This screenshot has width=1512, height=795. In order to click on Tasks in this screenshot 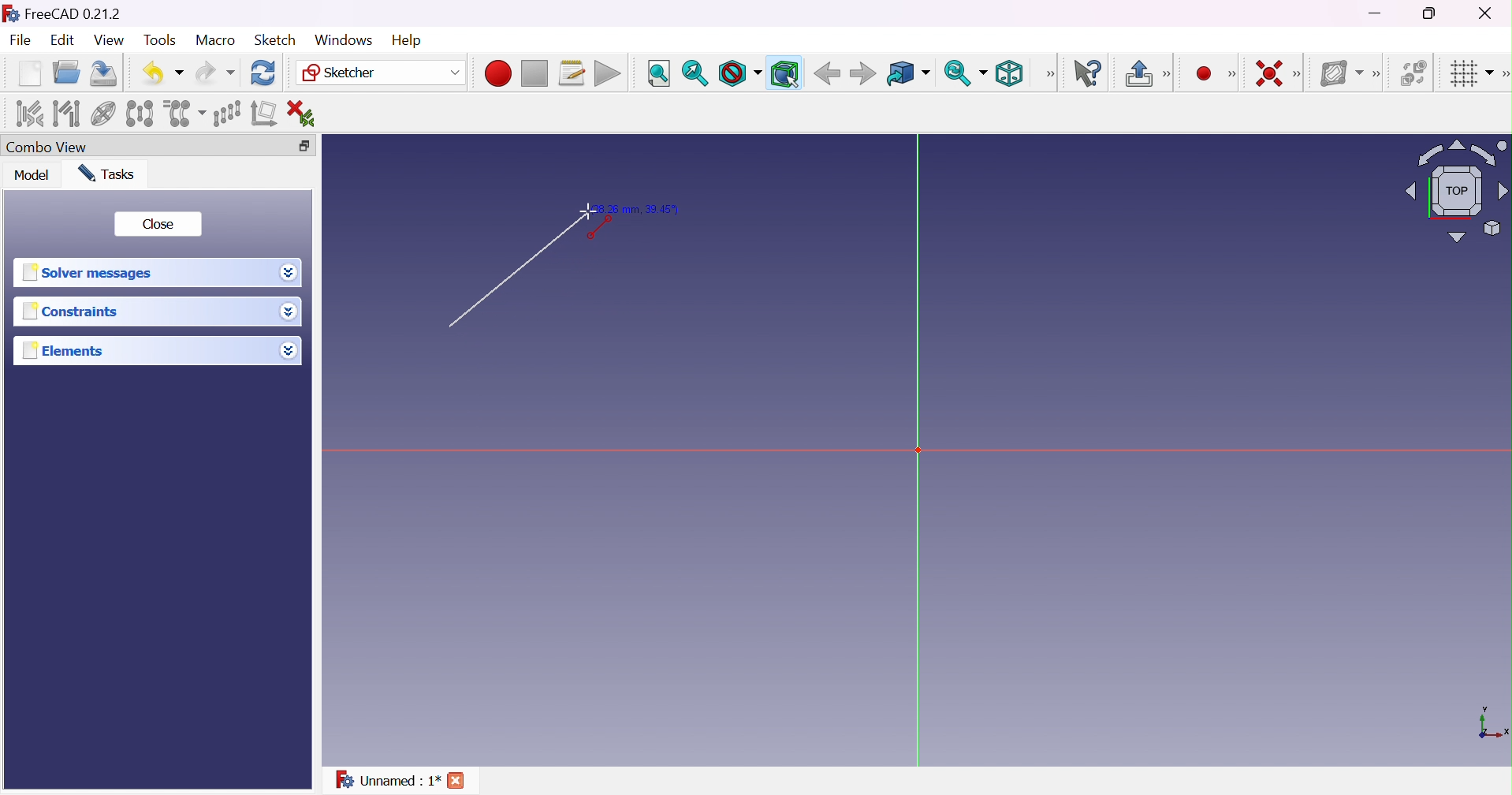, I will do `click(112, 174)`.